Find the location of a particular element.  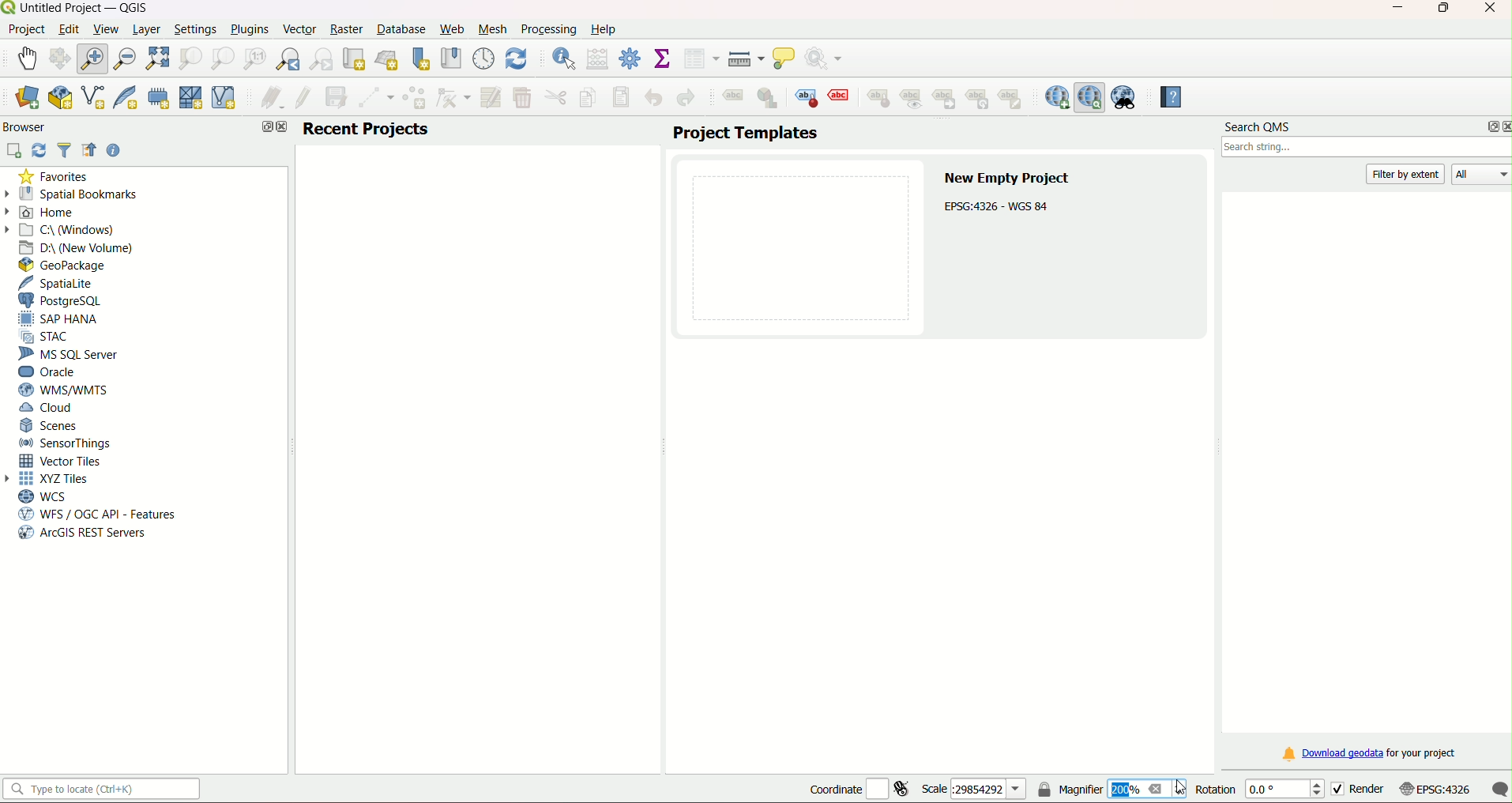

refresh is located at coordinates (517, 58).